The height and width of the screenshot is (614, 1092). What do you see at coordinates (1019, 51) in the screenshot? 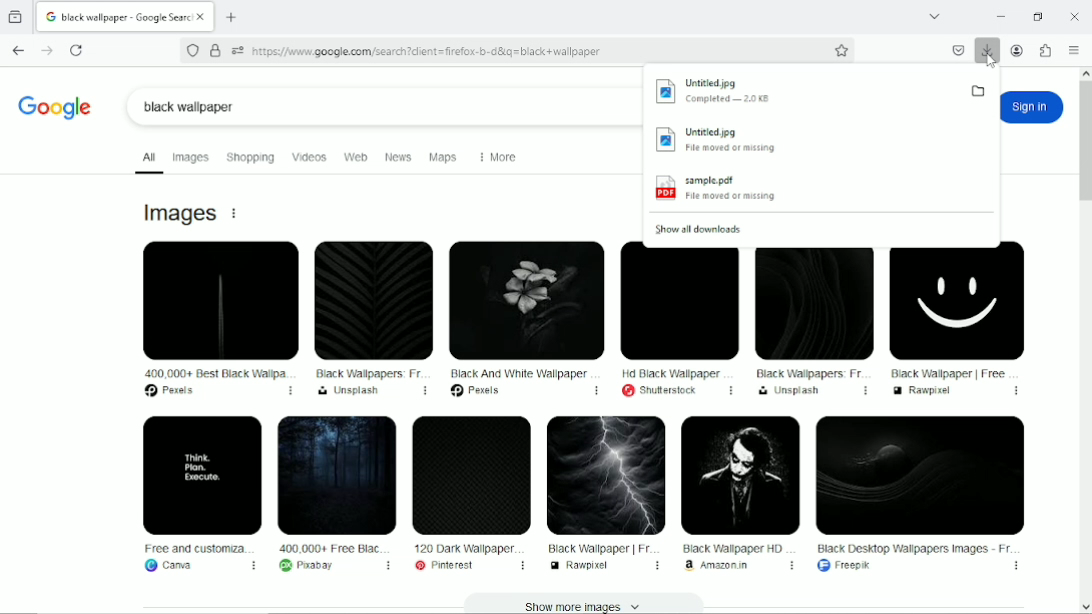
I see `Account` at bounding box center [1019, 51].